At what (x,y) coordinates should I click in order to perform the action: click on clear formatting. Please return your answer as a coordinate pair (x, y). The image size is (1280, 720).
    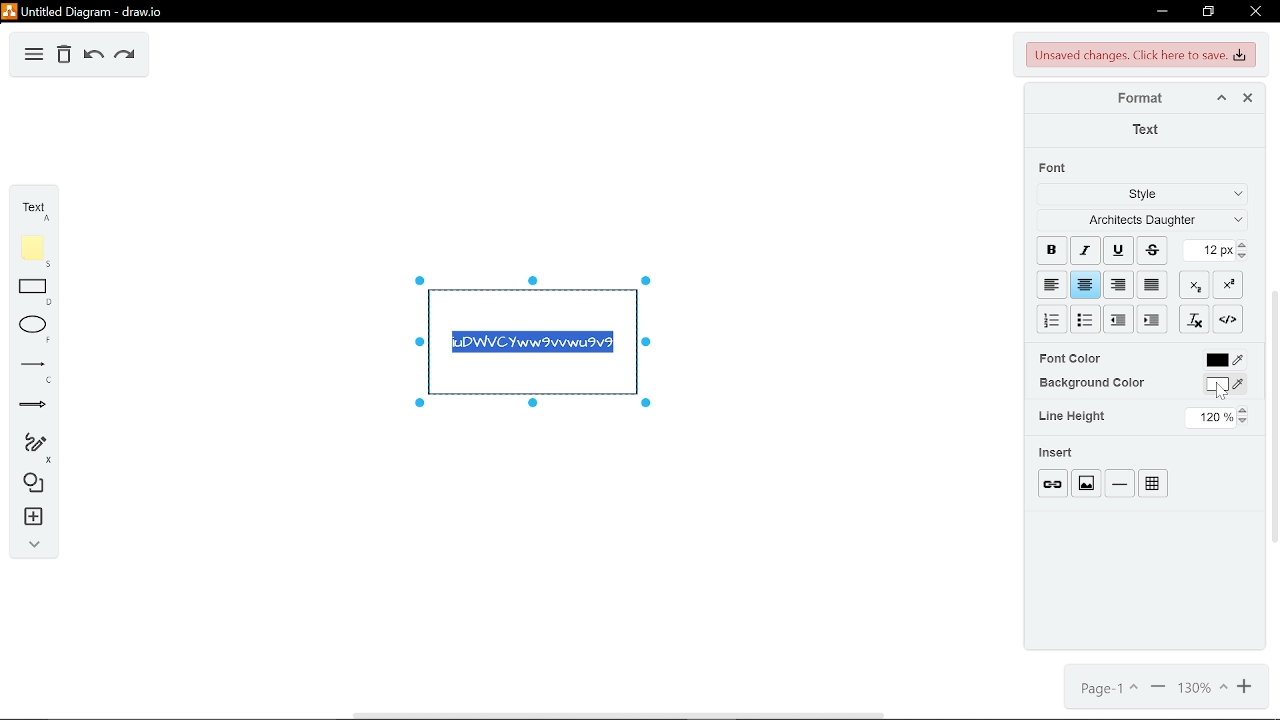
    Looking at the image, I should click on (1196, 319).